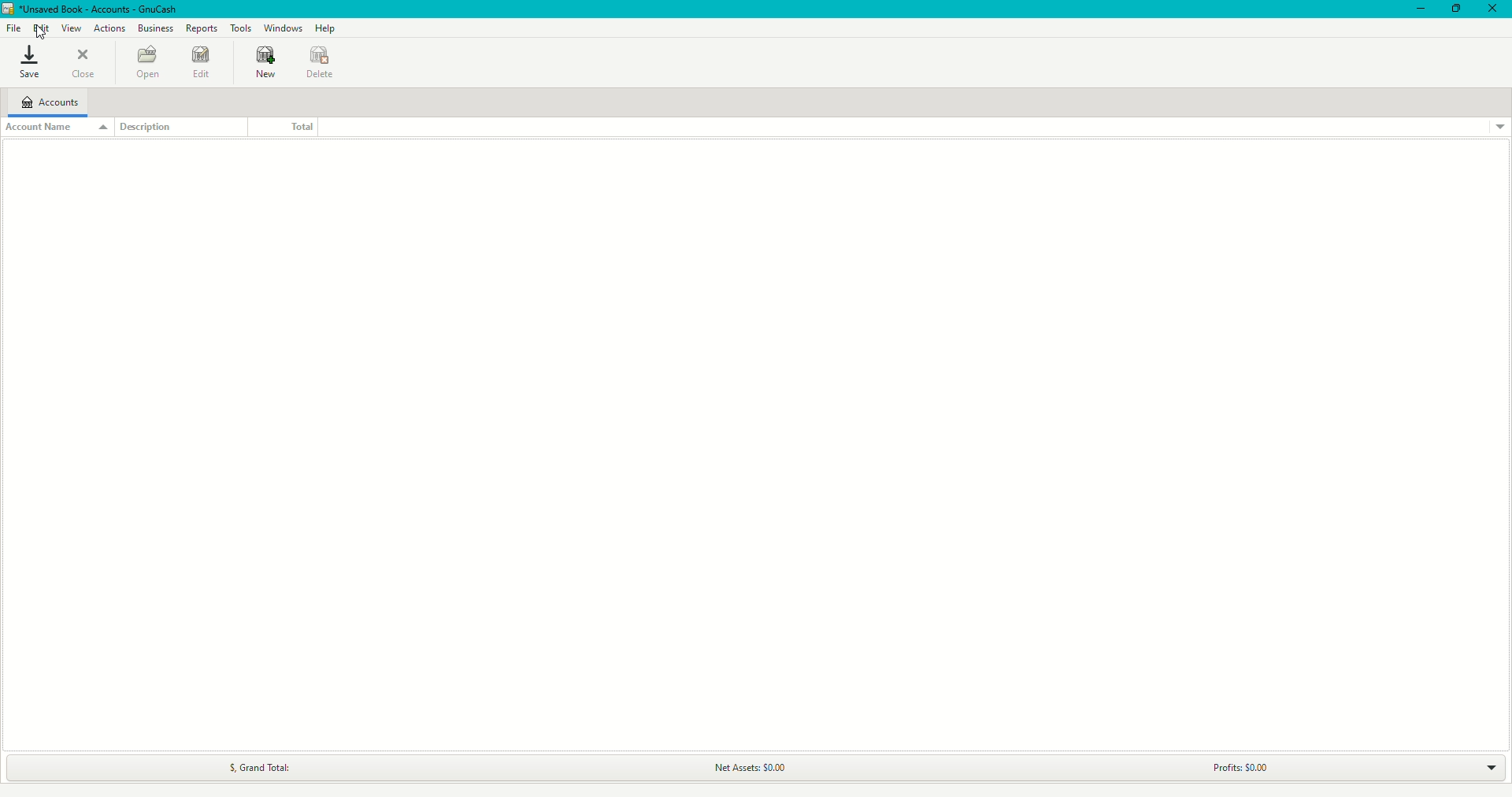  I want to click on save, so click(27, 61).